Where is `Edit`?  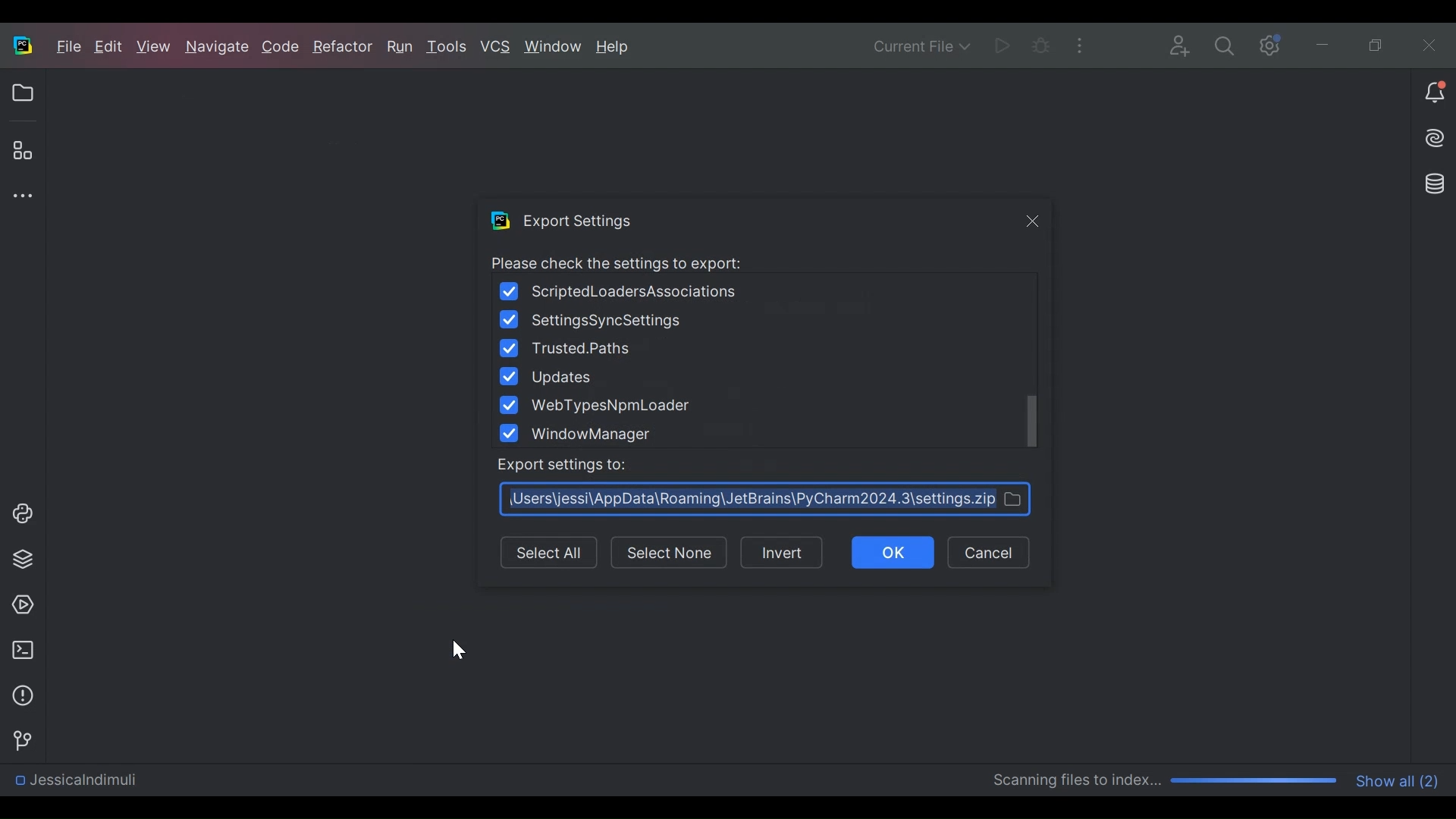
Edit is located at coordinates (111, 48).